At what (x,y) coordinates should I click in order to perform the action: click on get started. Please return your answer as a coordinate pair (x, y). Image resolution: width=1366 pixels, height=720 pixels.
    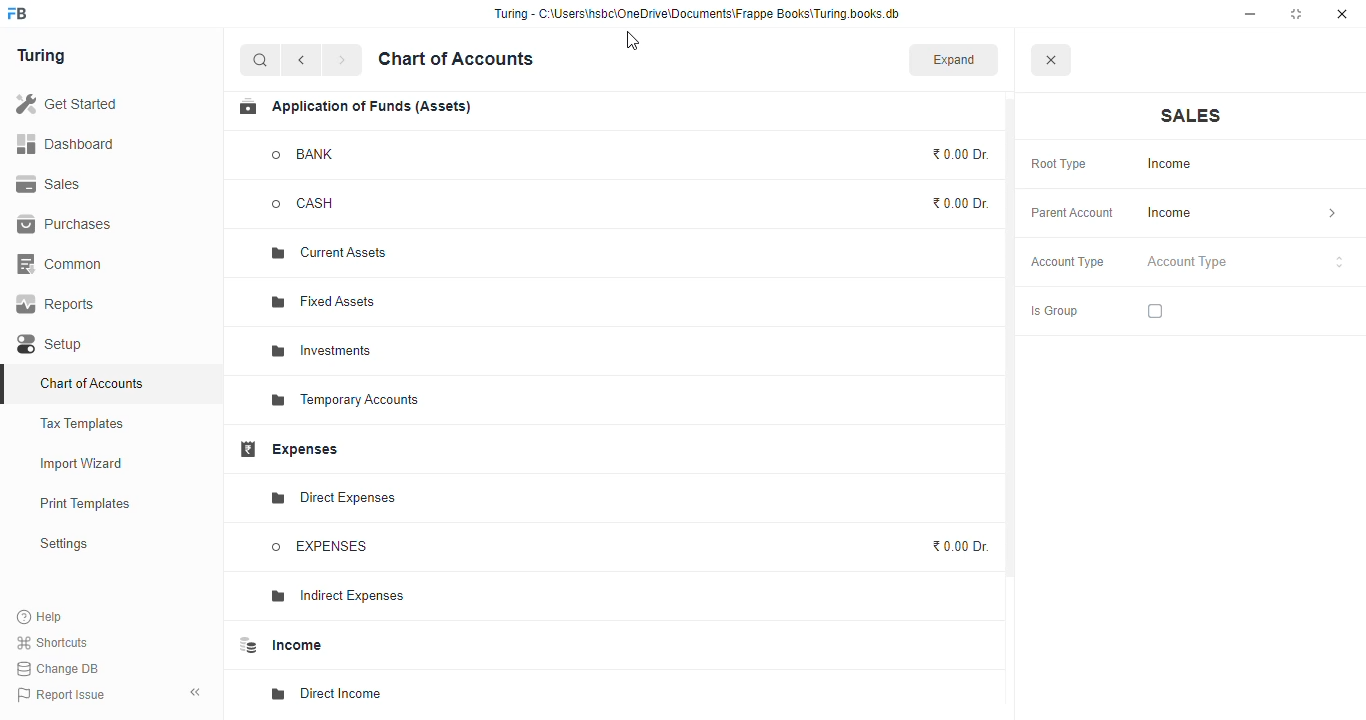
    Looking at the image, I should click on (66, 103).